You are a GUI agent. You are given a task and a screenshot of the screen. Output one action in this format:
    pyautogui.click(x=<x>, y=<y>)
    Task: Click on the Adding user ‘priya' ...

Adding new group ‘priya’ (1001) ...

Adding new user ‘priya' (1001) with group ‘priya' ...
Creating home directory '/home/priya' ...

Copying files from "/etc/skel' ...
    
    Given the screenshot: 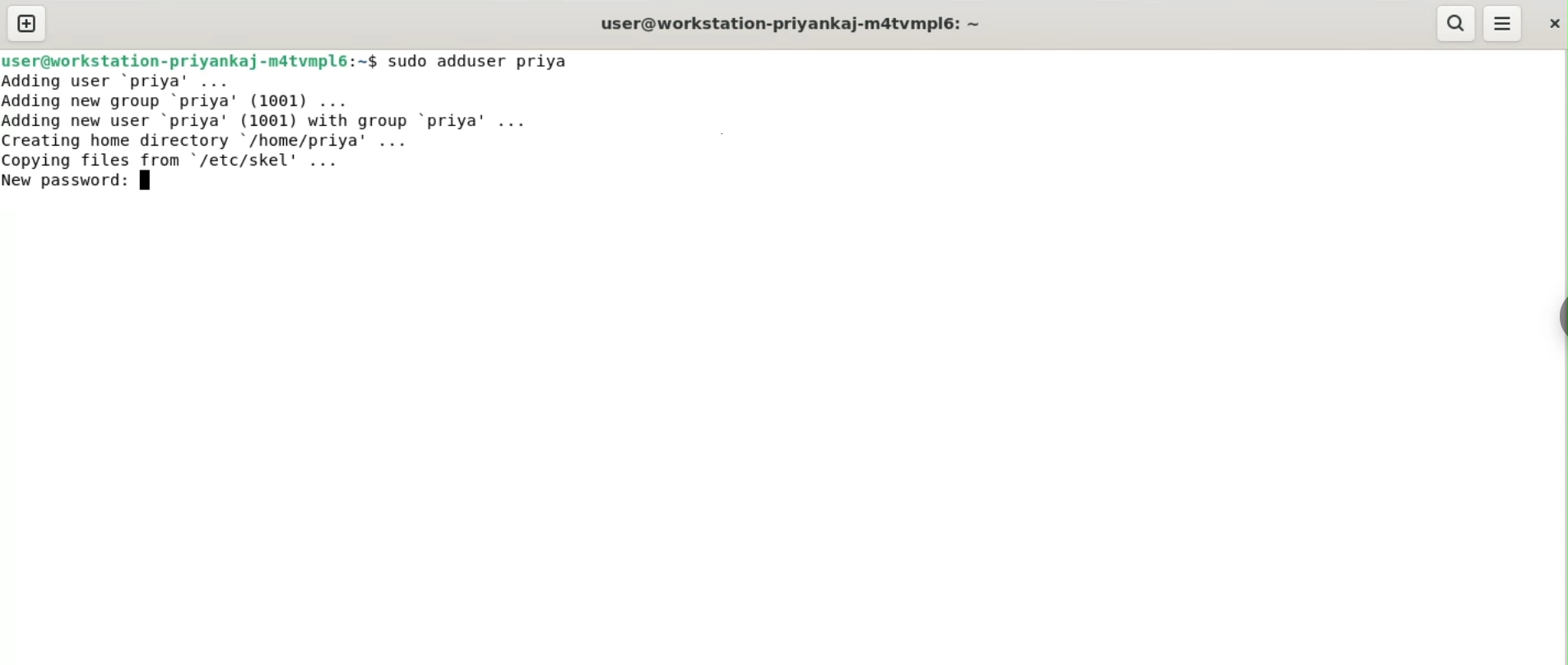 What is the action you would take?
    pyautogui.click(x=274, y=121)
    